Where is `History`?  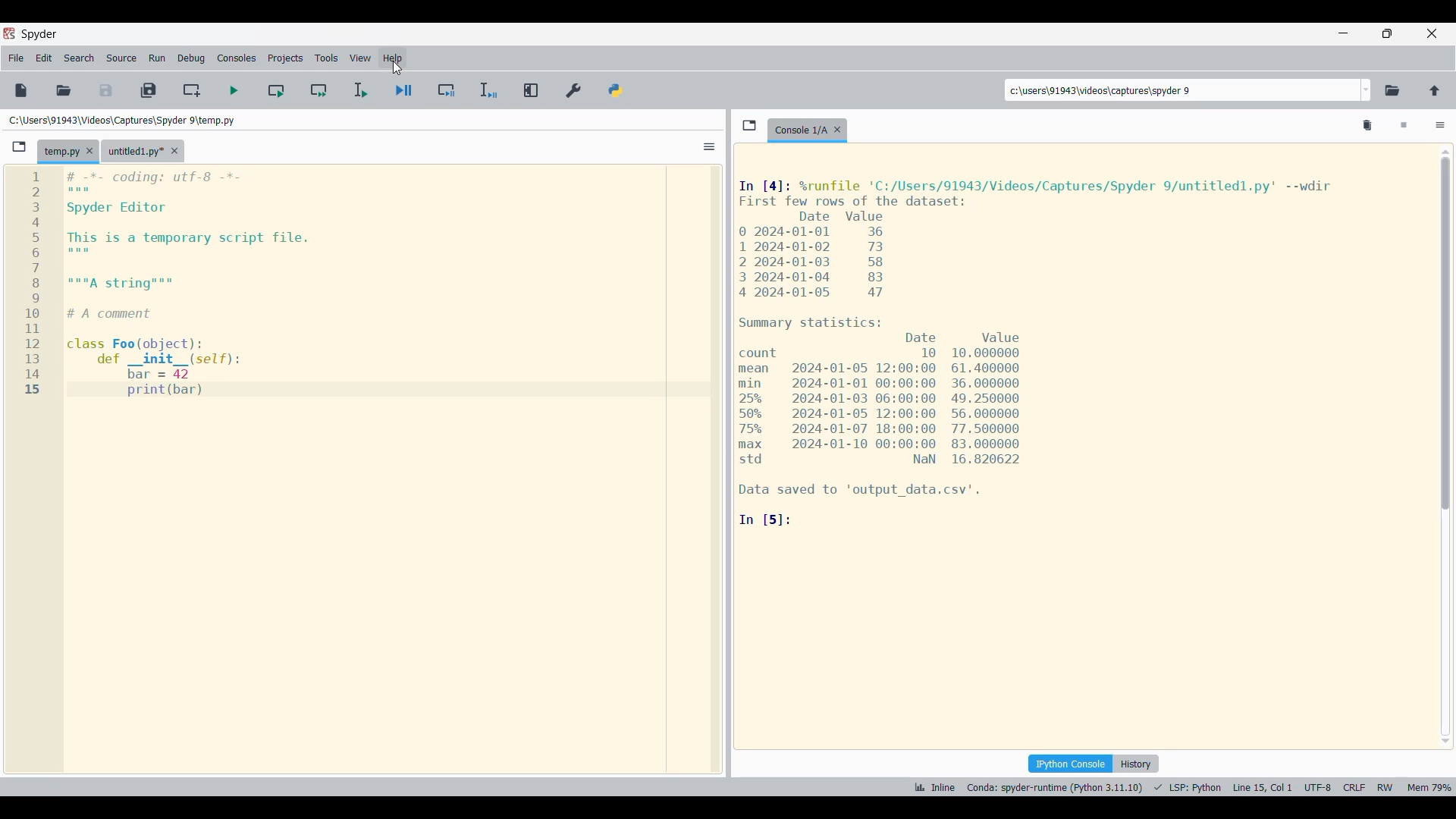
History is located at coordinates (1136, 764).